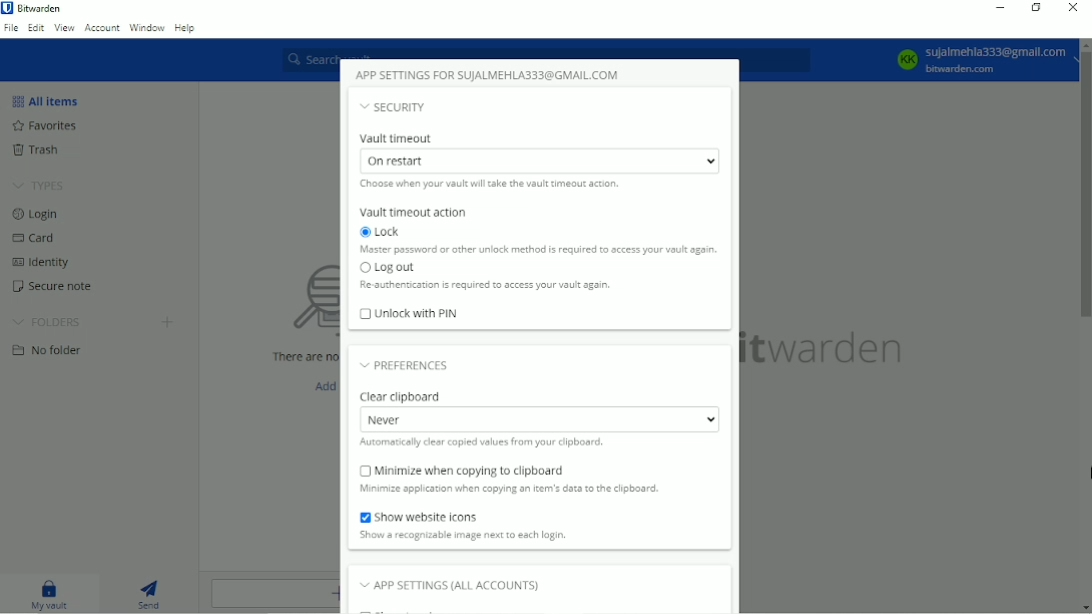  I want to click on Unlock with PIN, so click(409, 313).